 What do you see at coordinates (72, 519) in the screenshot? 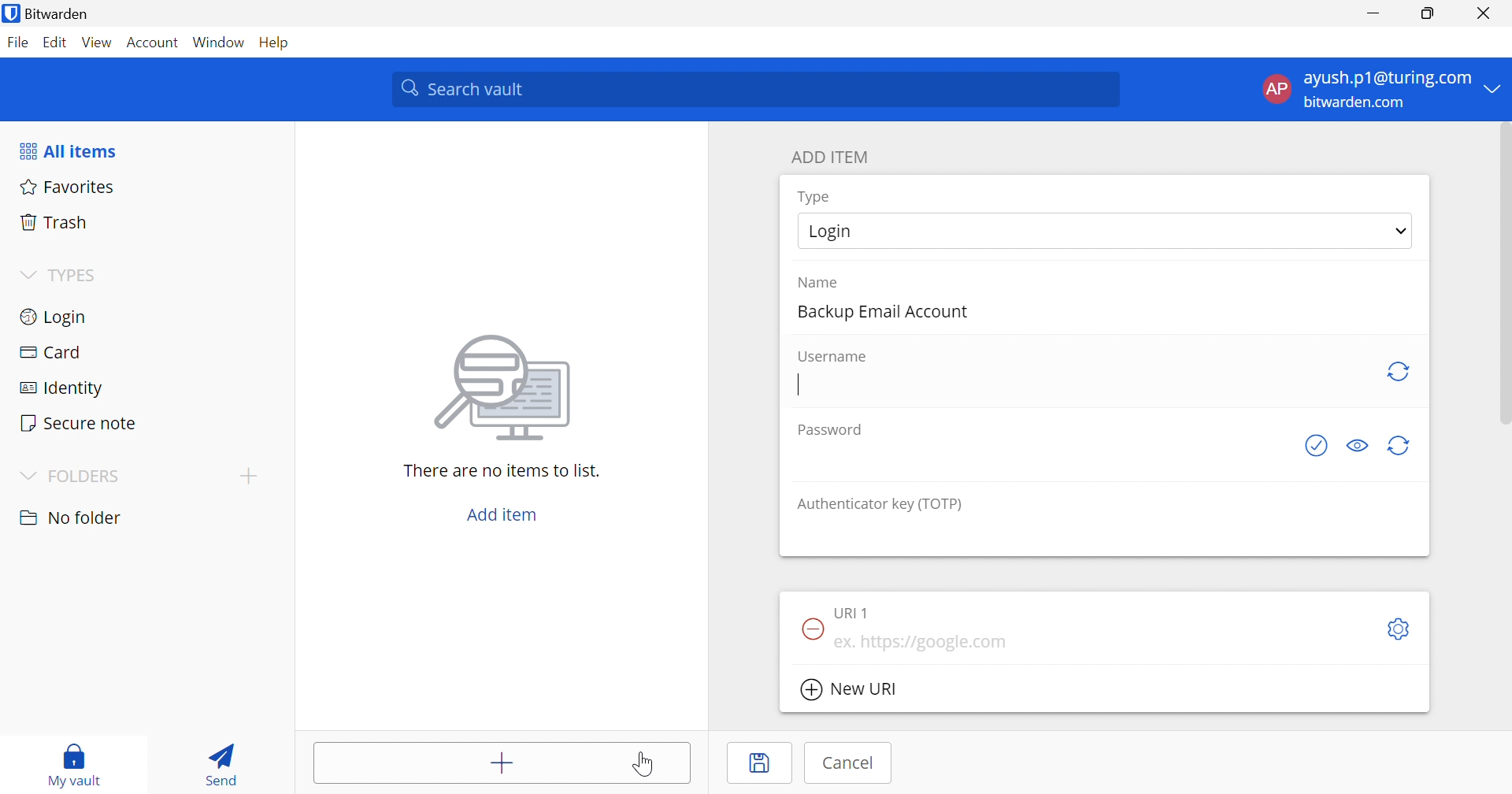
I see `No folder` at bounding box center [72, 519].